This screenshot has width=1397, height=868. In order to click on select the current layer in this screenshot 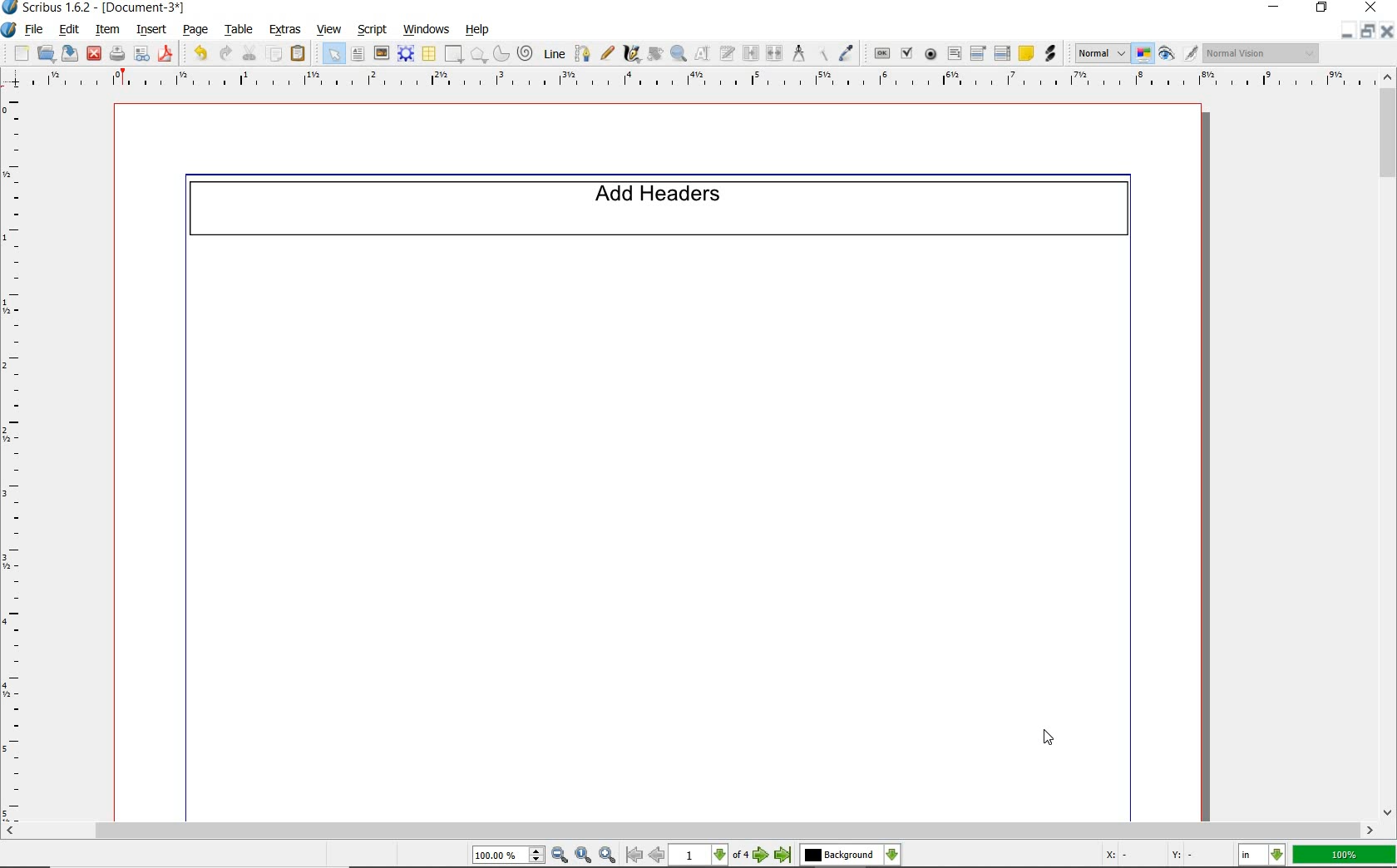, I will do `click(851, 856)`.